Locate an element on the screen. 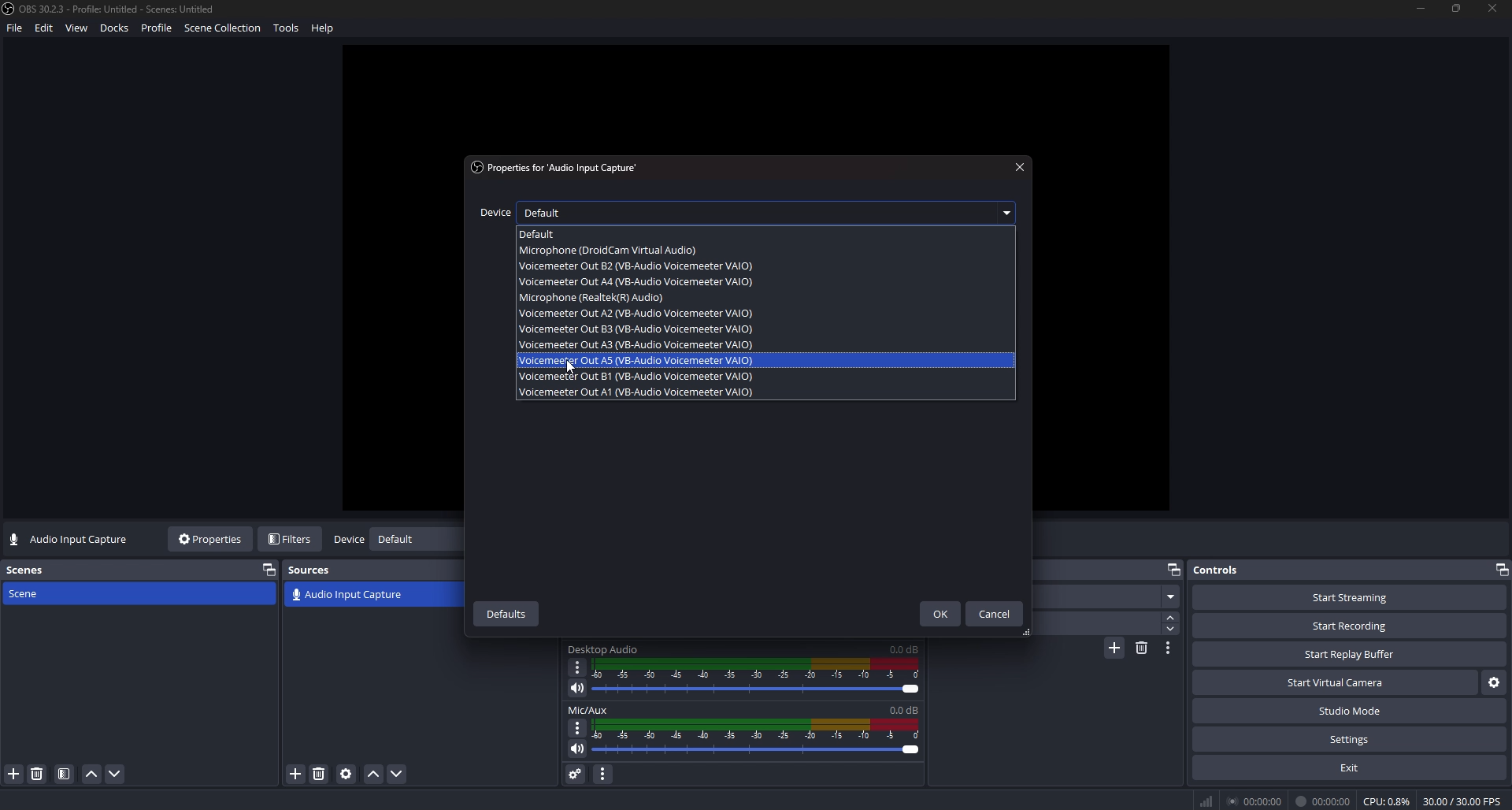  resize is located at coordinates (1458, 7).